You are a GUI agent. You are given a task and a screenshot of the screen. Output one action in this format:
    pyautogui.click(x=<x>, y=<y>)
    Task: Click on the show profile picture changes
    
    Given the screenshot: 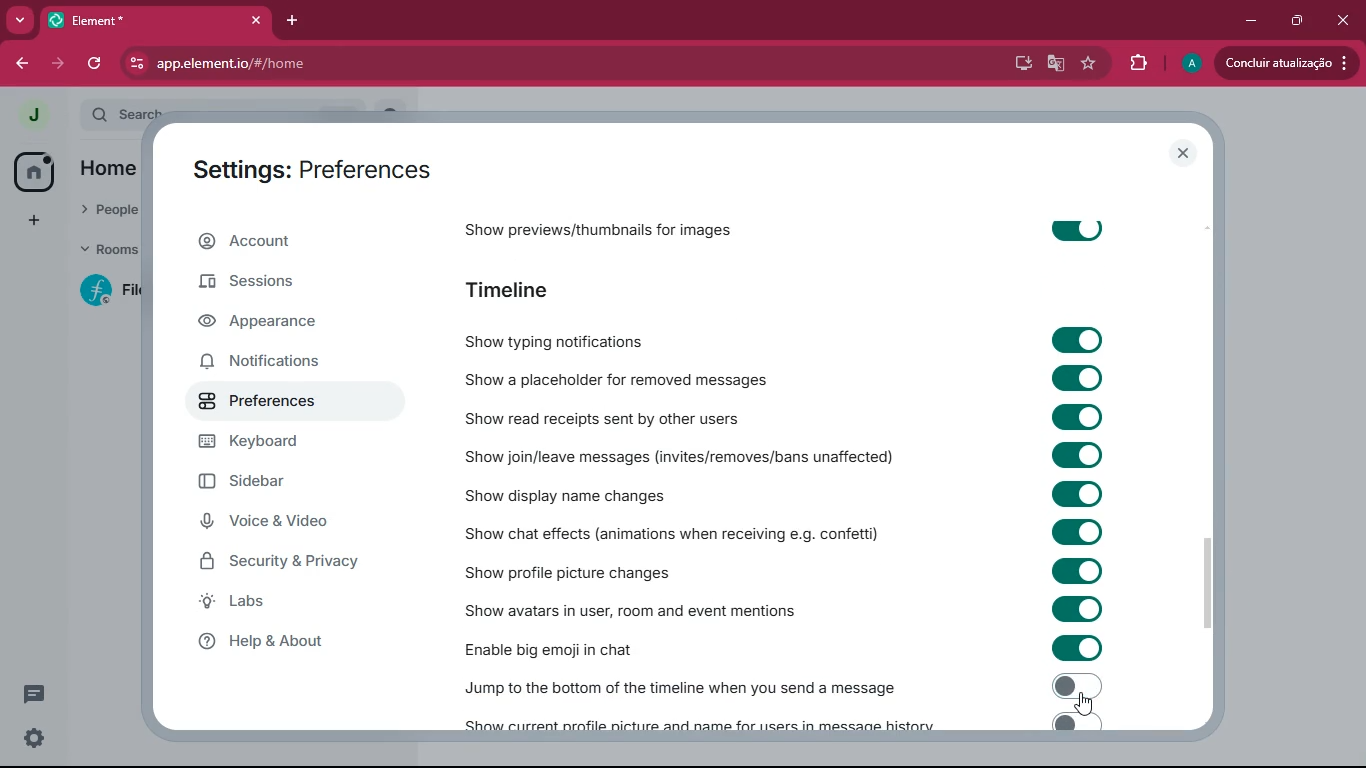 What is the action you would take?
    pyautogui.click(x=568, y=573)
    